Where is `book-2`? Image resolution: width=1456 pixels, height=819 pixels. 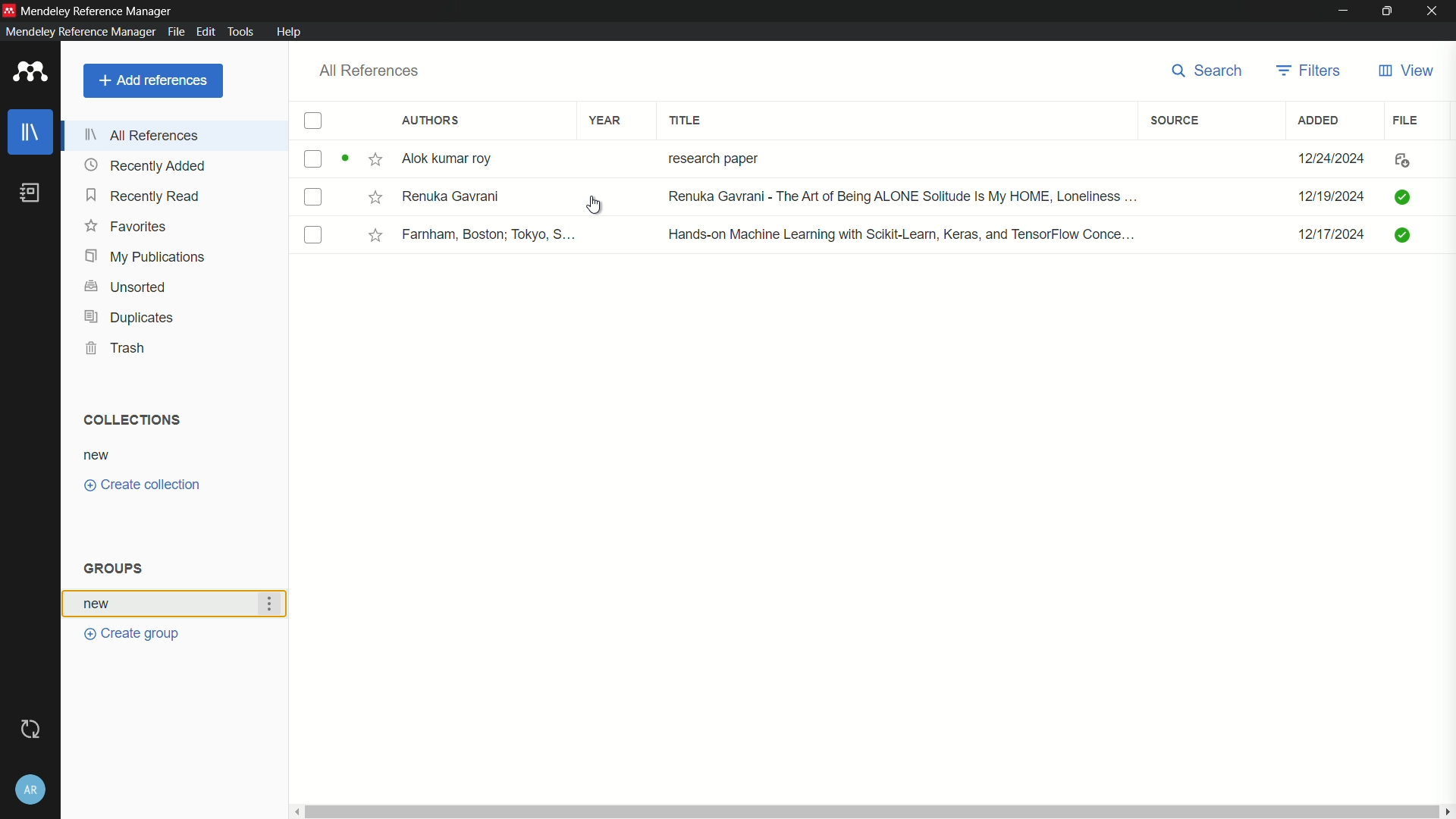
book-2 is located at coordinates (315, 199).